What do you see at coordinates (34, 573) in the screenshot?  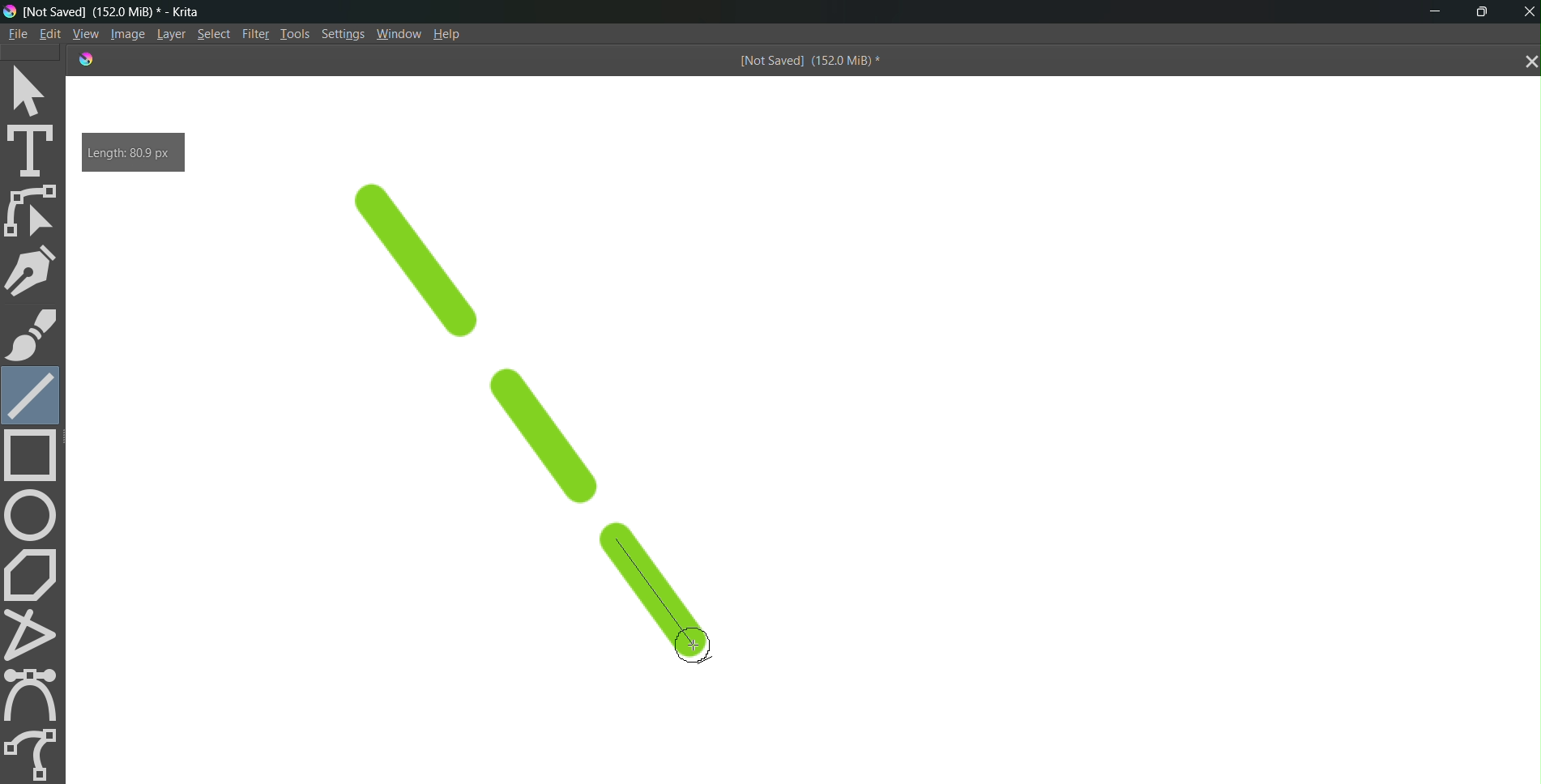 I see `polygon` at bounding box center [34, 573].